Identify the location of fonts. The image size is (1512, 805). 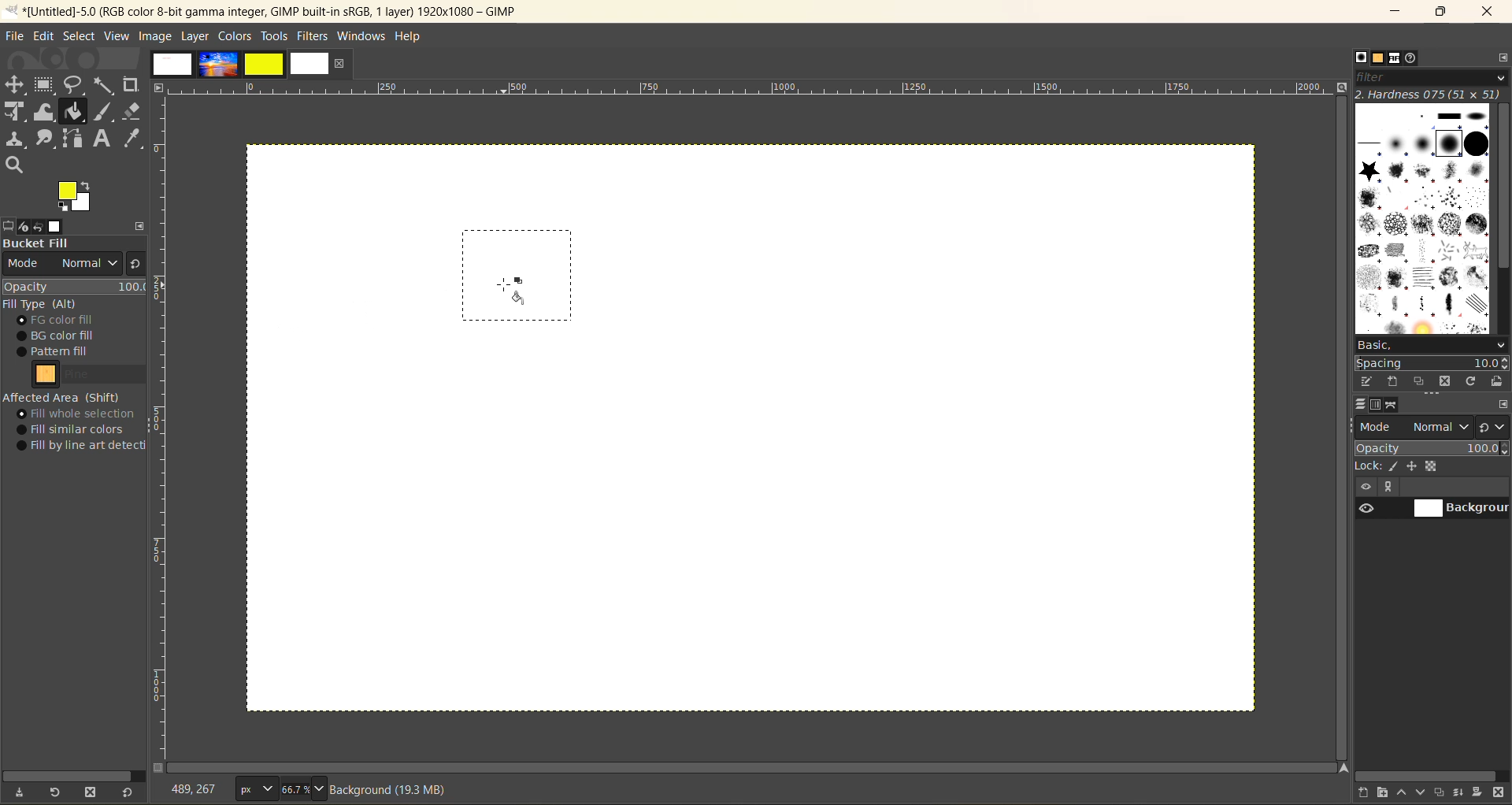
(1396, 58).